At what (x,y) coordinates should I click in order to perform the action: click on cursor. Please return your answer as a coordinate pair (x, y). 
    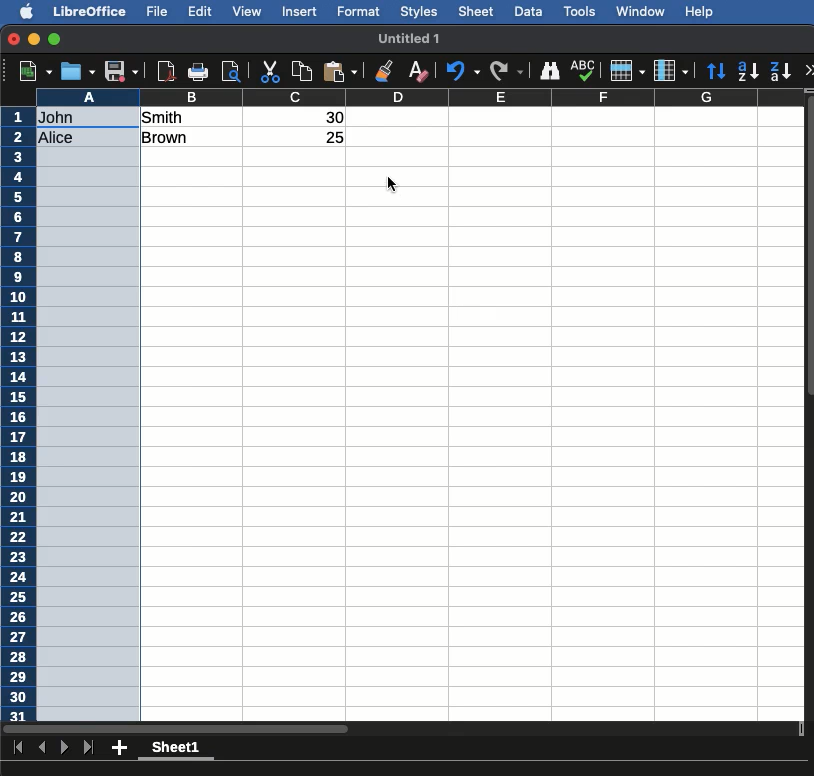
    Looking at the image, I should click on (393, 187).